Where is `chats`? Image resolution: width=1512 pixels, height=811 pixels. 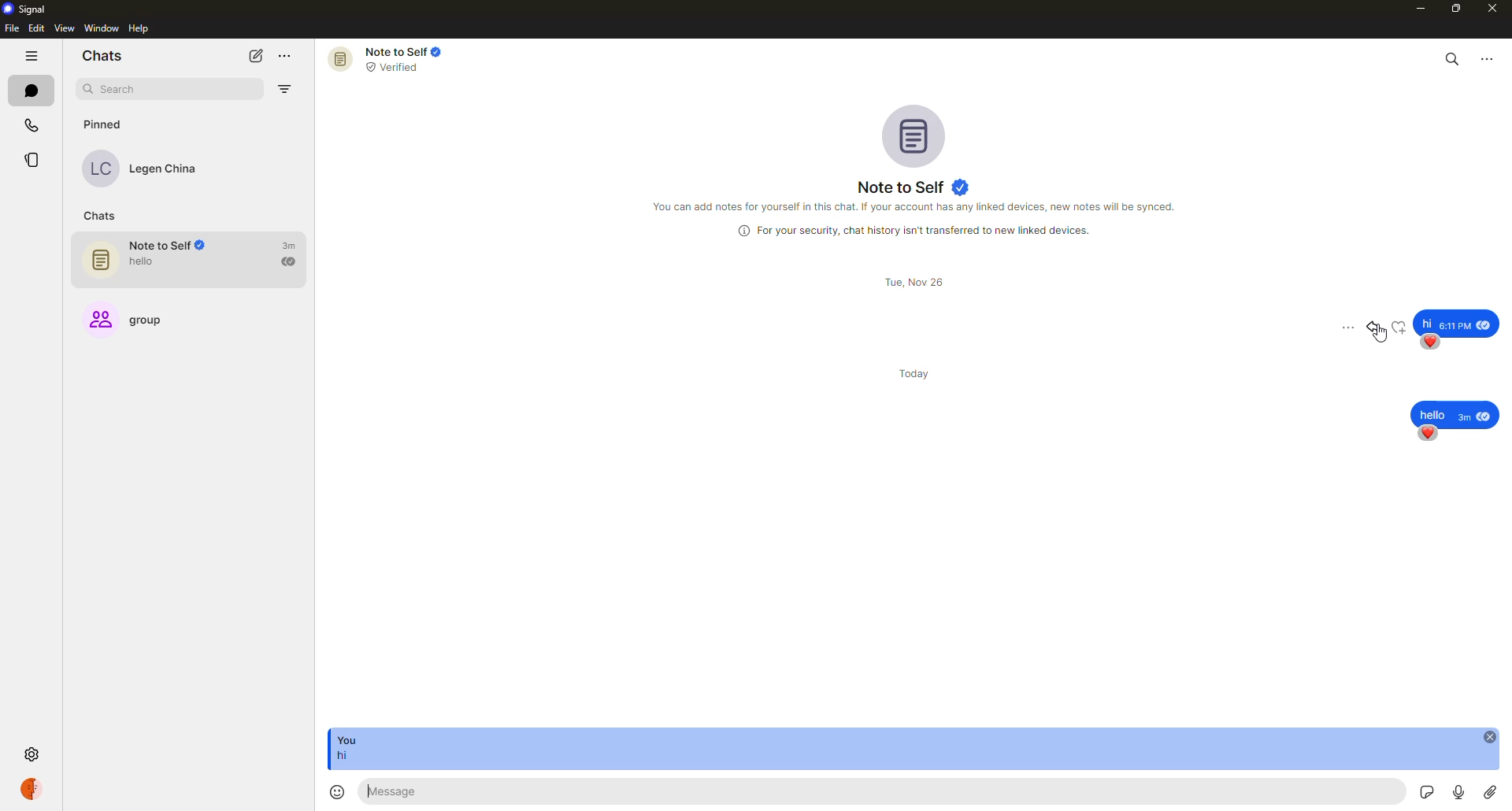 chats is located at coordinates (31, 91).